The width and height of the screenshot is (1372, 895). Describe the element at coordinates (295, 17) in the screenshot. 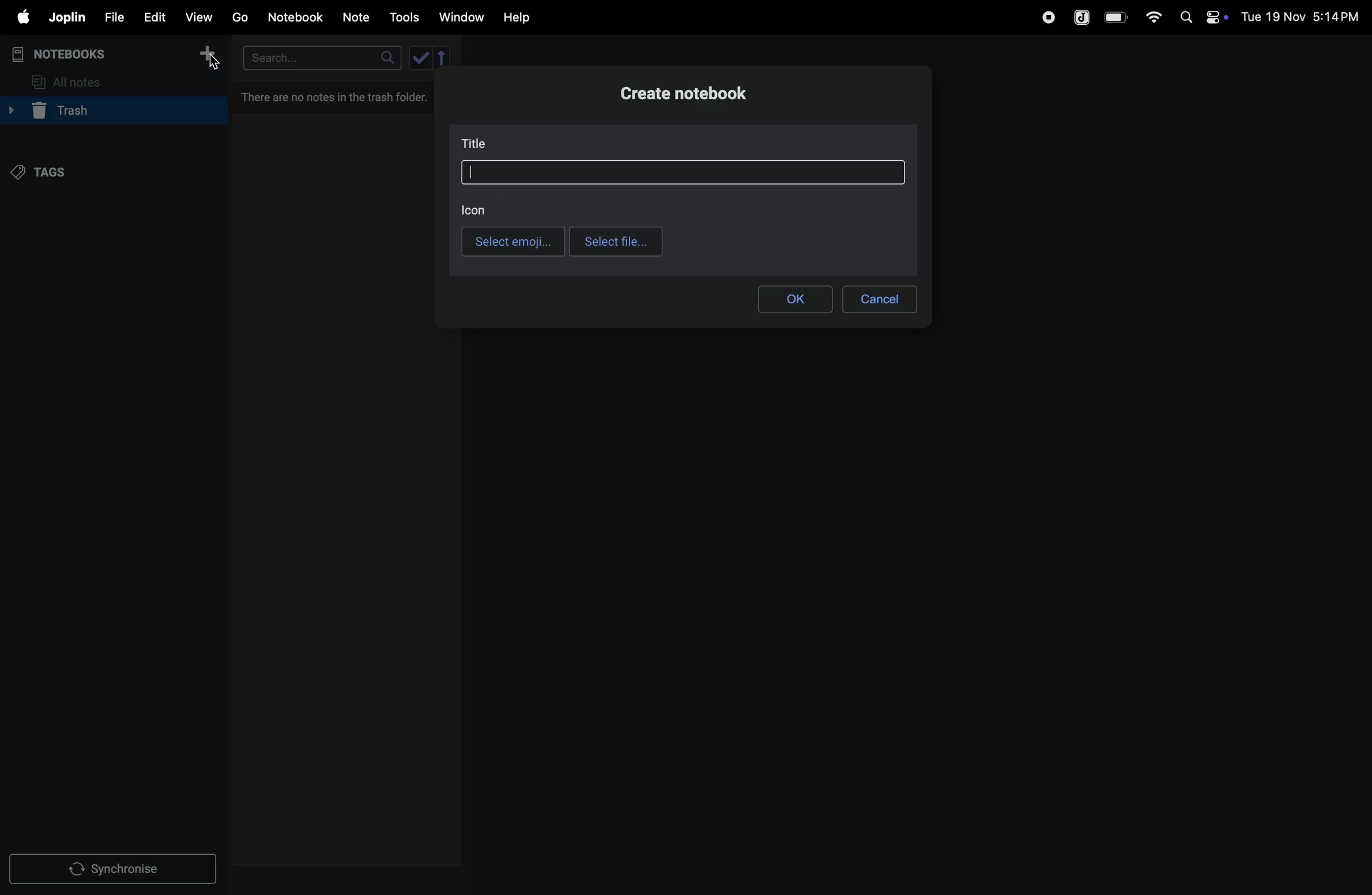

I see `notebook` at that location.